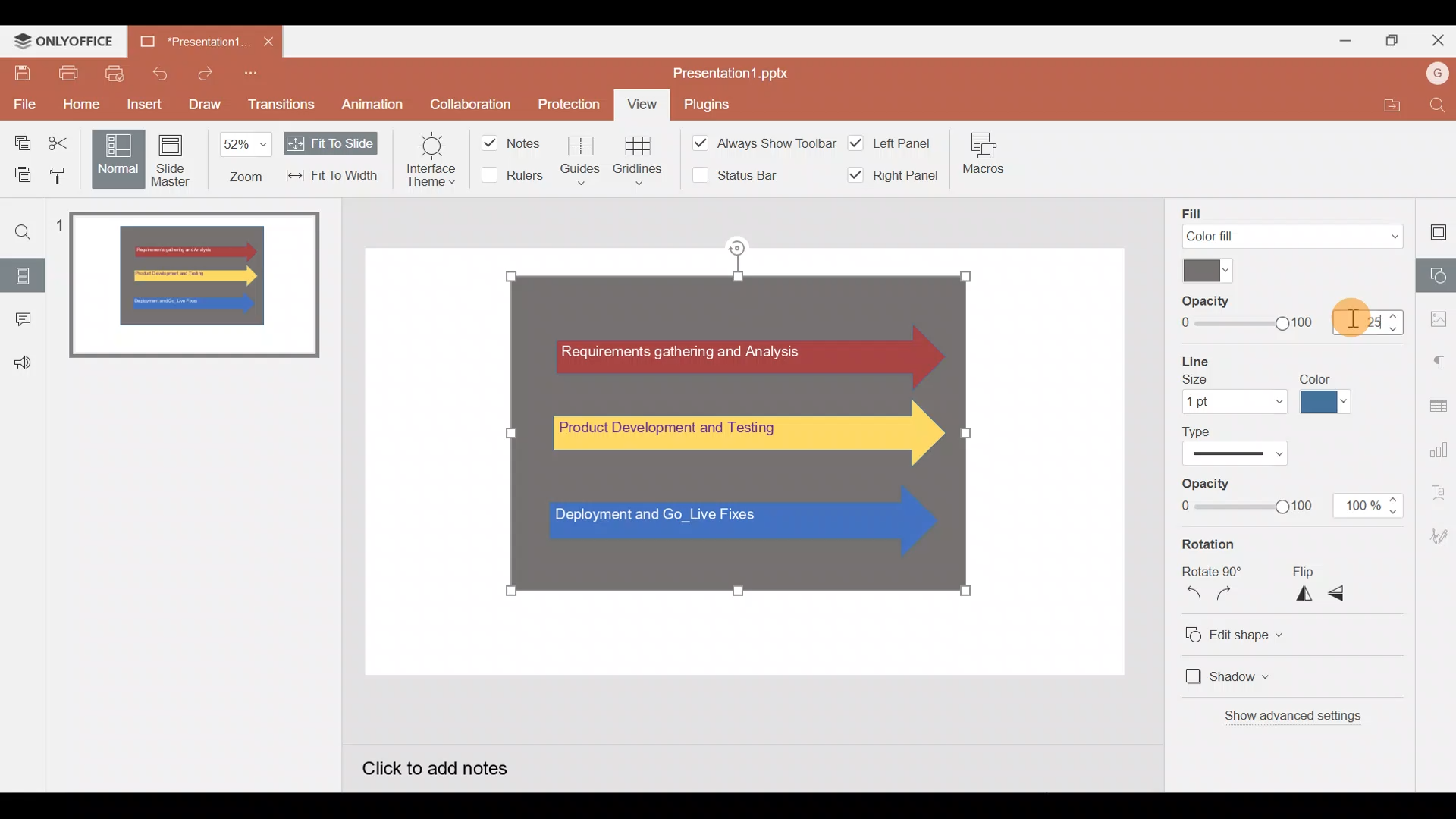 The image size is (1456, 819). Describe the element at coordinates (573, 104) in the screenshot. I see `Protection` at that location.